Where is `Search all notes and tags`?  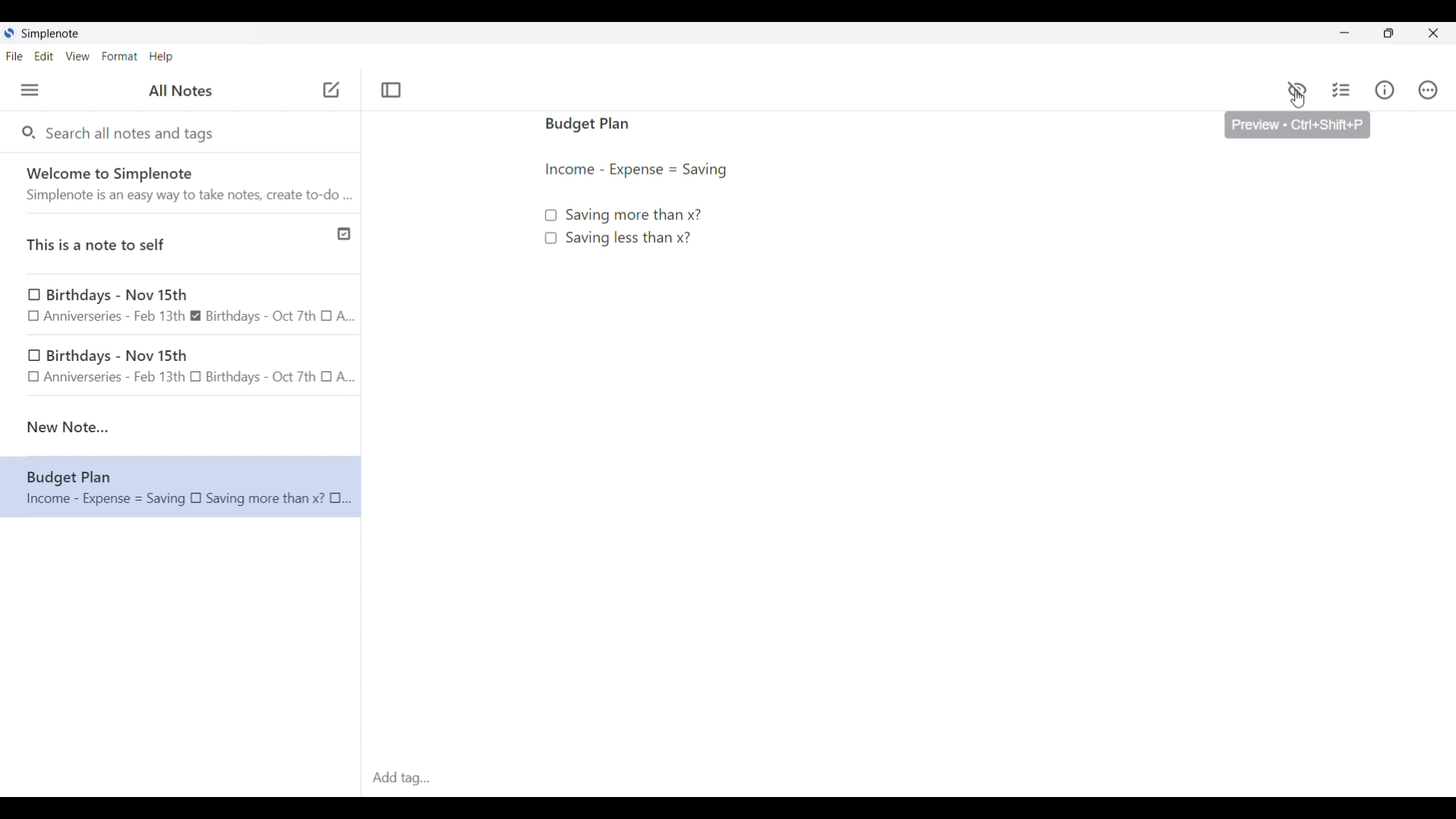
Search all notes and tags is located at coordinates (133, 132).